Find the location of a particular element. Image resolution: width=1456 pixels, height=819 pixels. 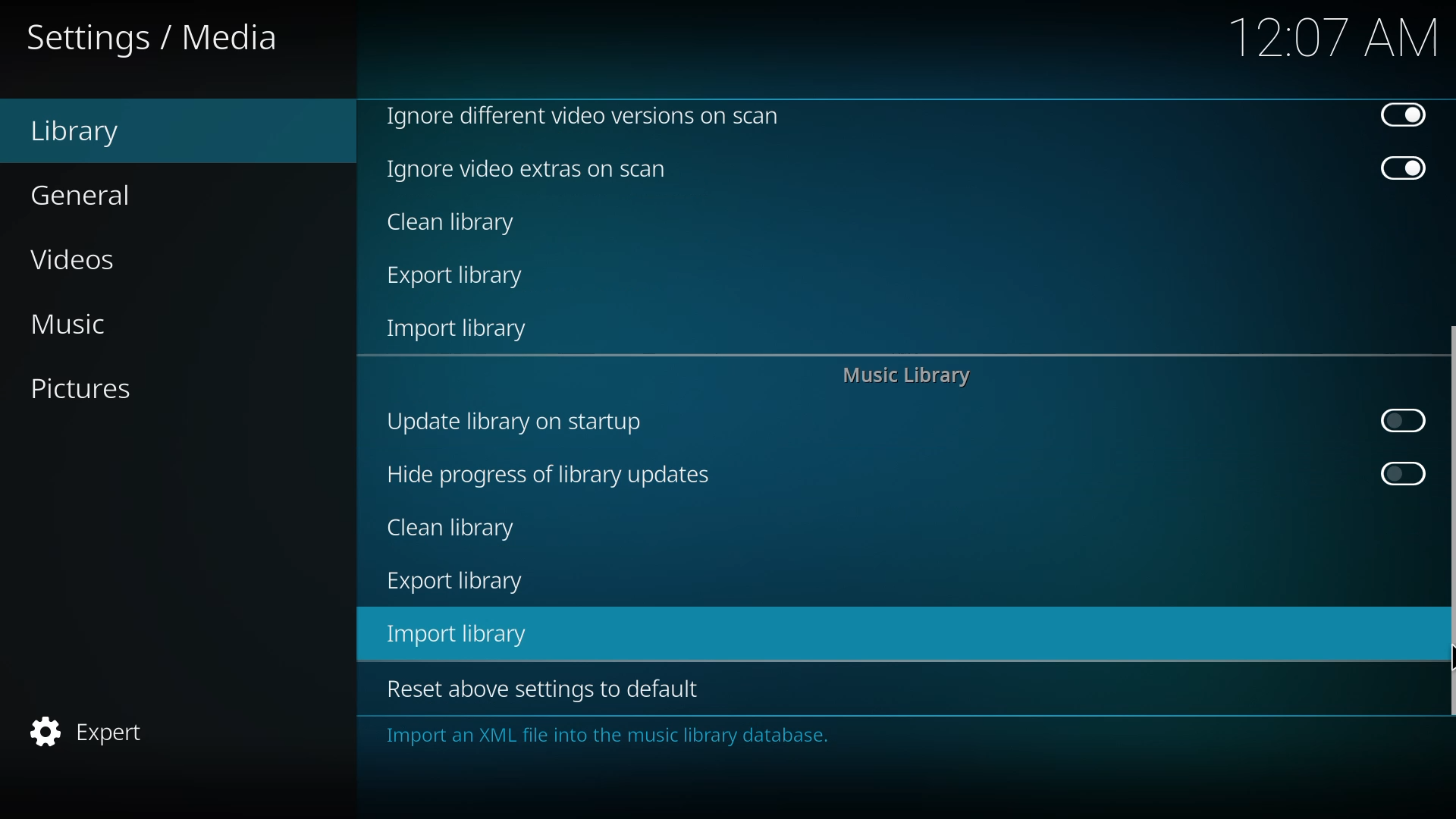

export is located at coordinates (455, 582).